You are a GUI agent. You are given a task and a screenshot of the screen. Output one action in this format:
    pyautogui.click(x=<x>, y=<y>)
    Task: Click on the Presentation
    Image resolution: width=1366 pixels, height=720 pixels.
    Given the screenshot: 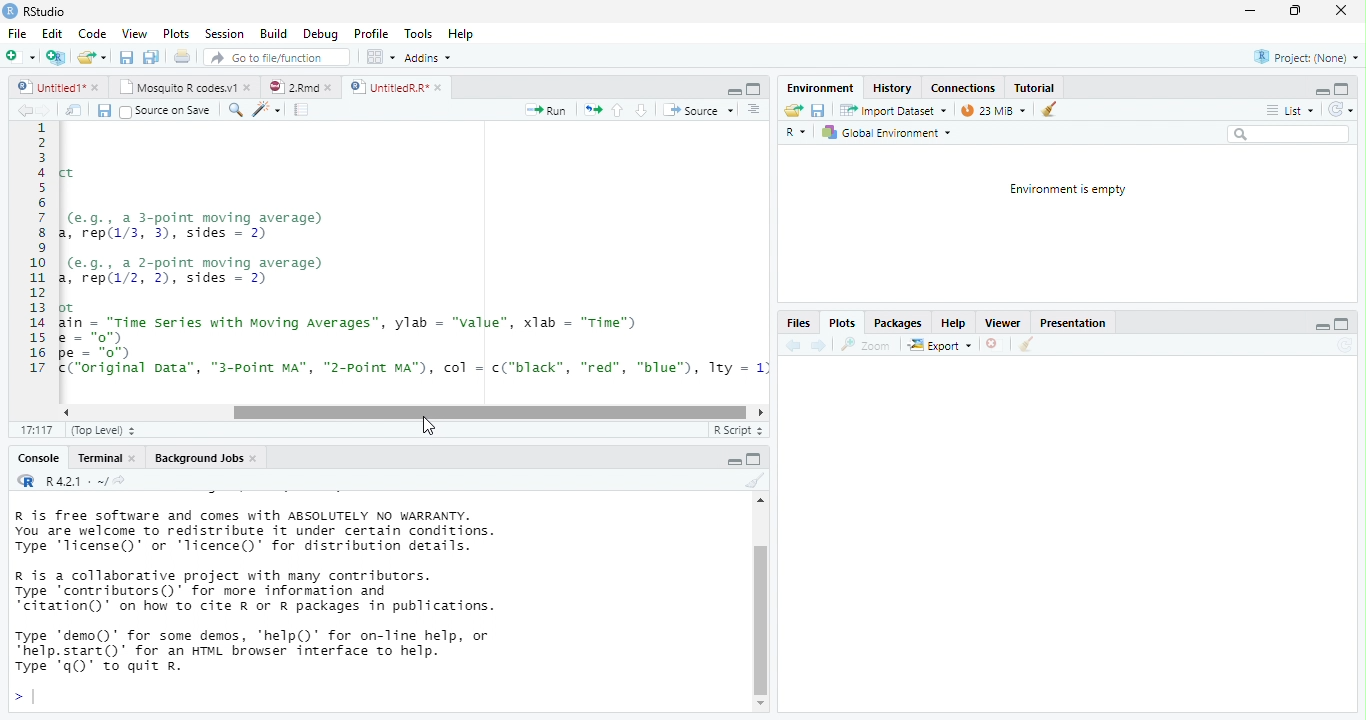 What is the action you would take?
    pyautogui.click(x=1071, y=325)
    